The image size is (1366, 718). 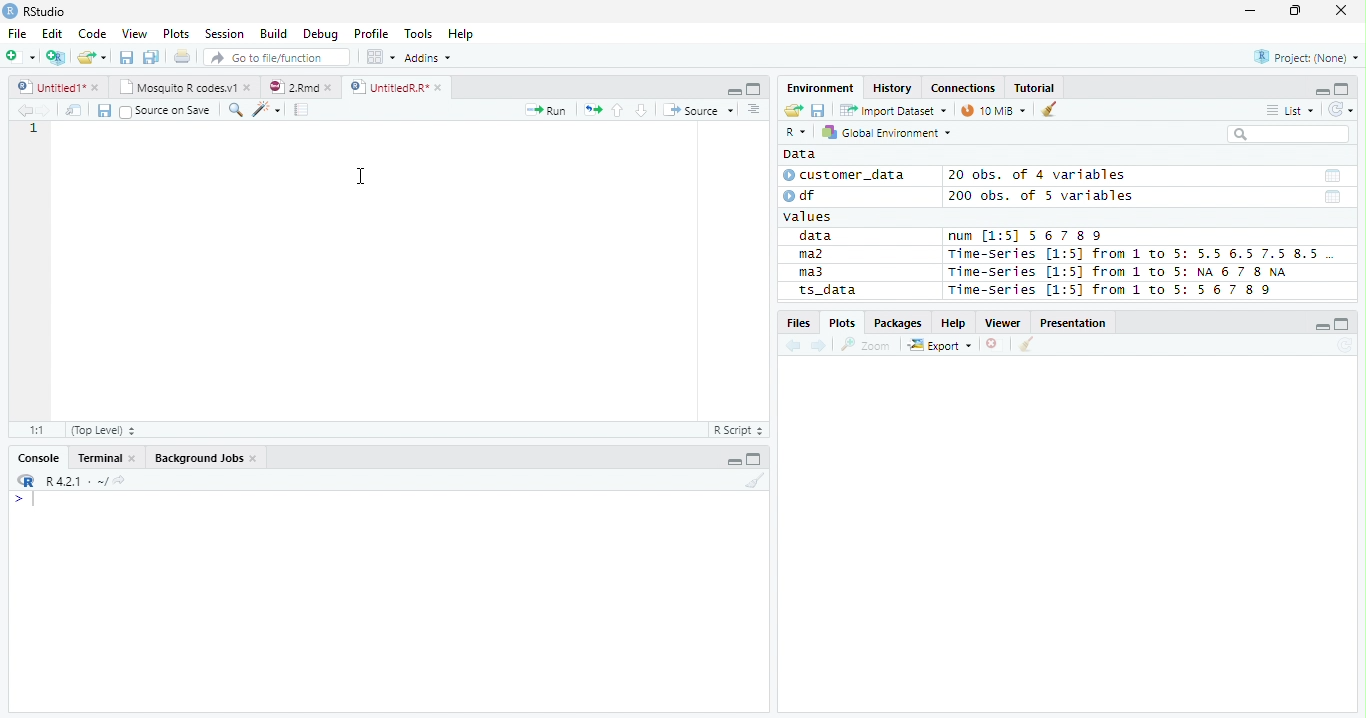 What do you see at coordinates (1343, 89) in the screenshot?
I see `Maximize` at bounding box center [1343, 89].